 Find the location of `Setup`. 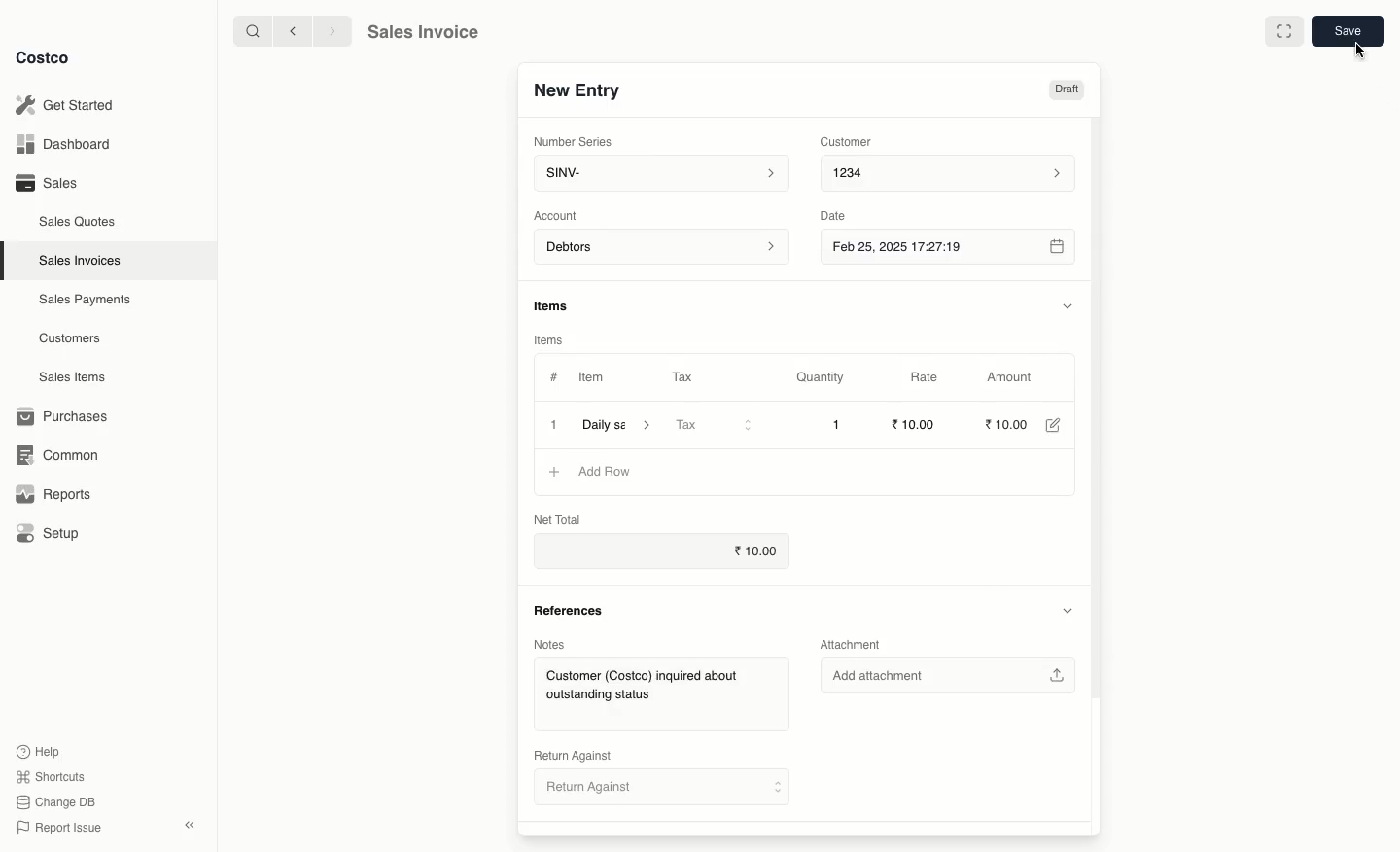

Setup is located at coordinates (49, 531).